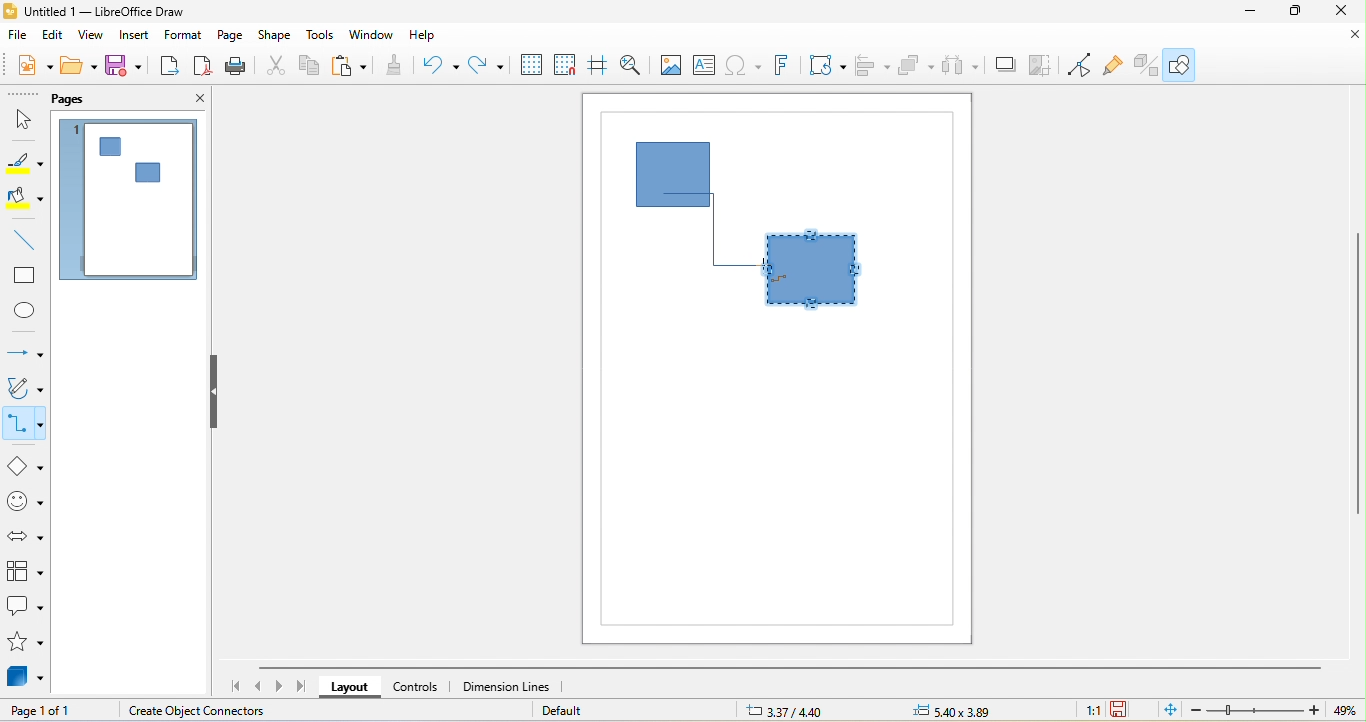 The height and width of the screenshot is (722, 1366). What do you see at coordinates (213, 392) in the screenshot?
I see `hide` at bounding box center [213, 392].